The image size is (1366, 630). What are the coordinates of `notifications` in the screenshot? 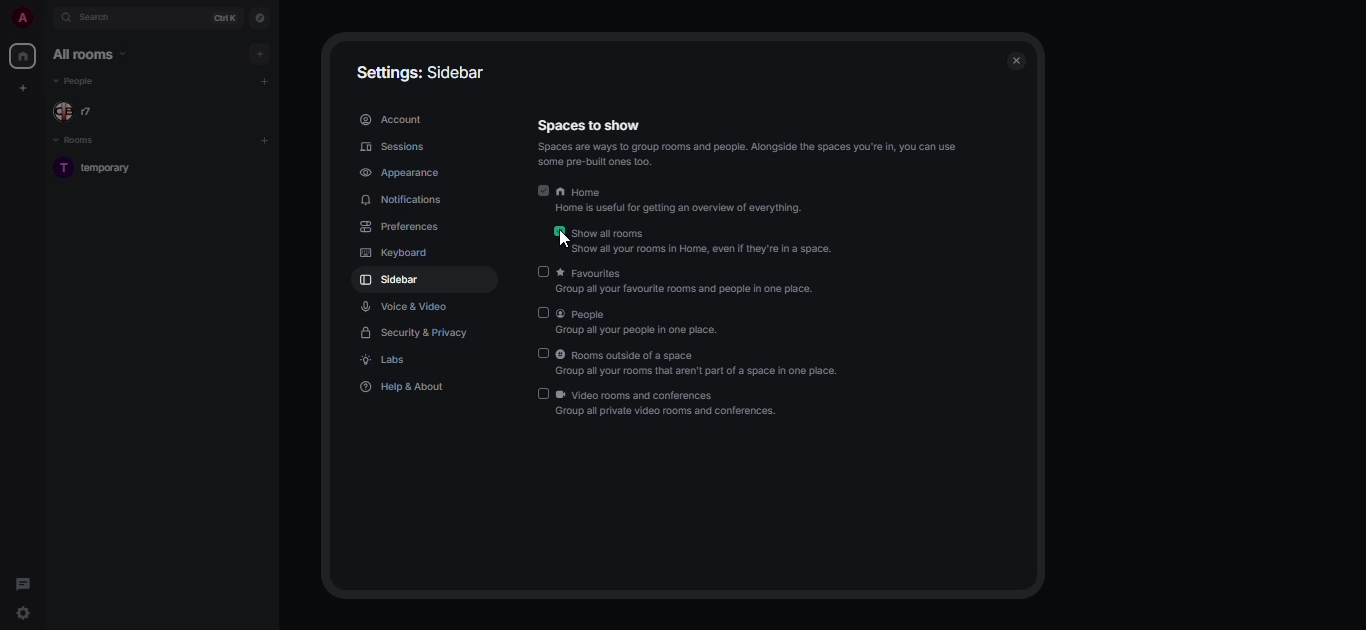 It's located at (404, 202).